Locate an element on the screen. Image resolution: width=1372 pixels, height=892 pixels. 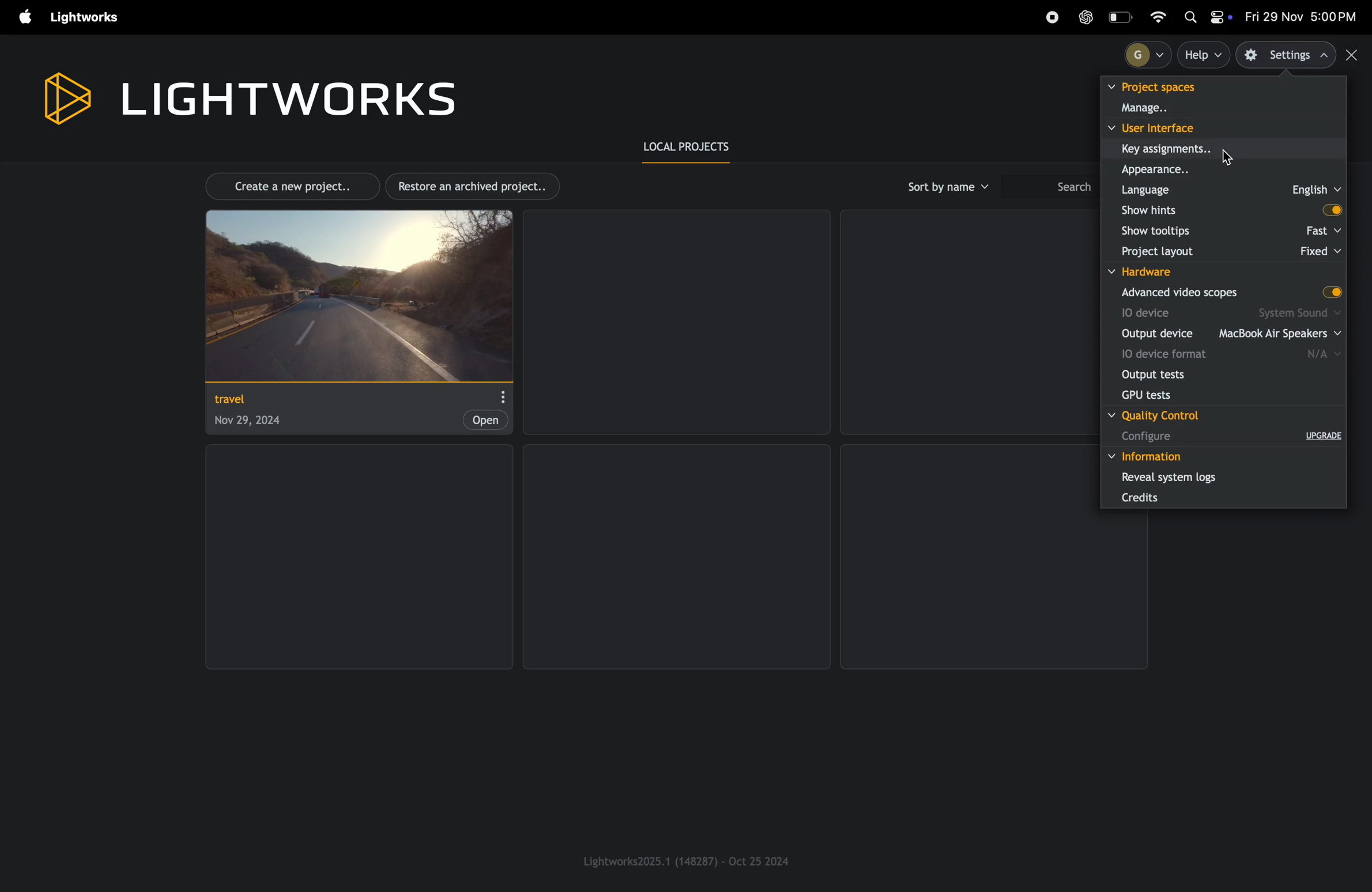
help is located at coordinates (1205, 55).